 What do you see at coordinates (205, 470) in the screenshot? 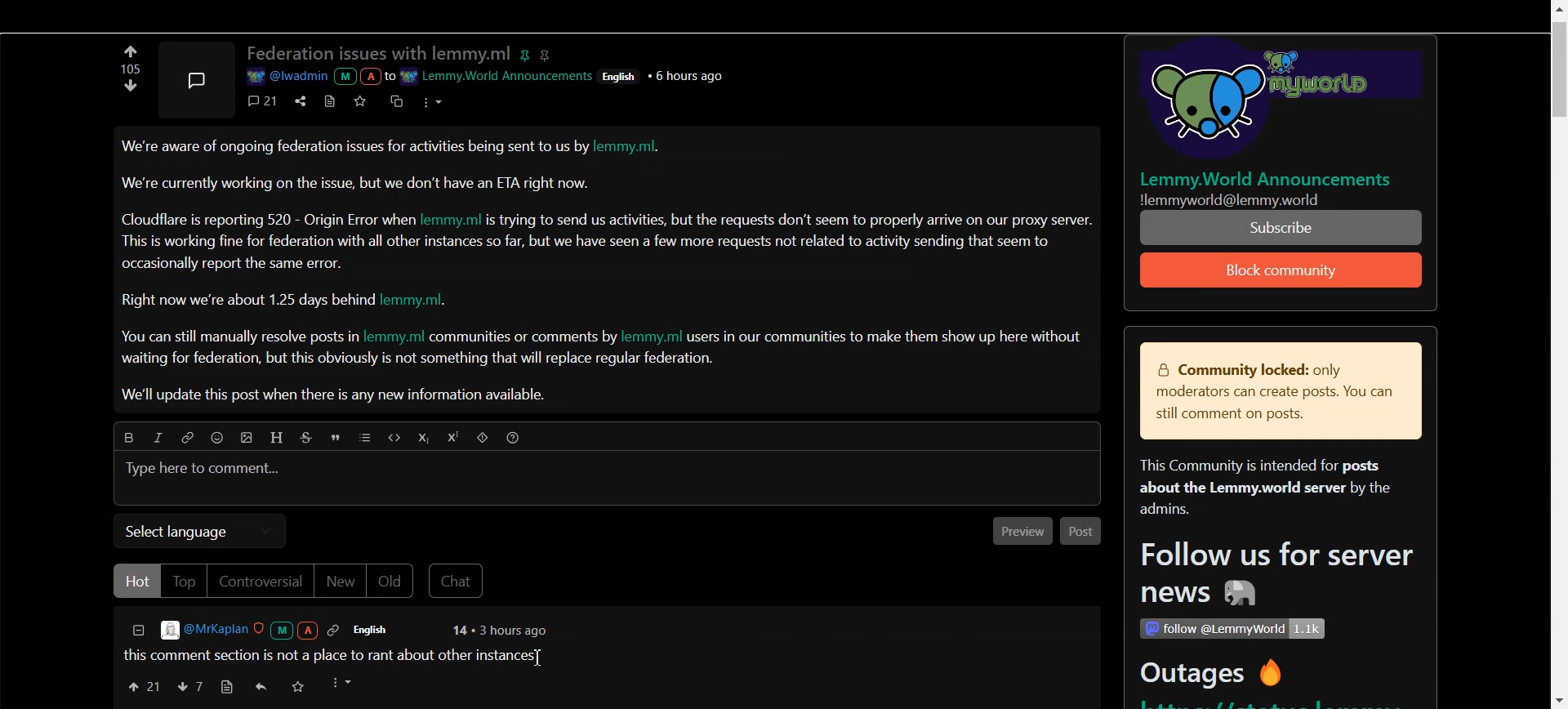
I see `Type here to comment...` at bounding box center [205, 470].